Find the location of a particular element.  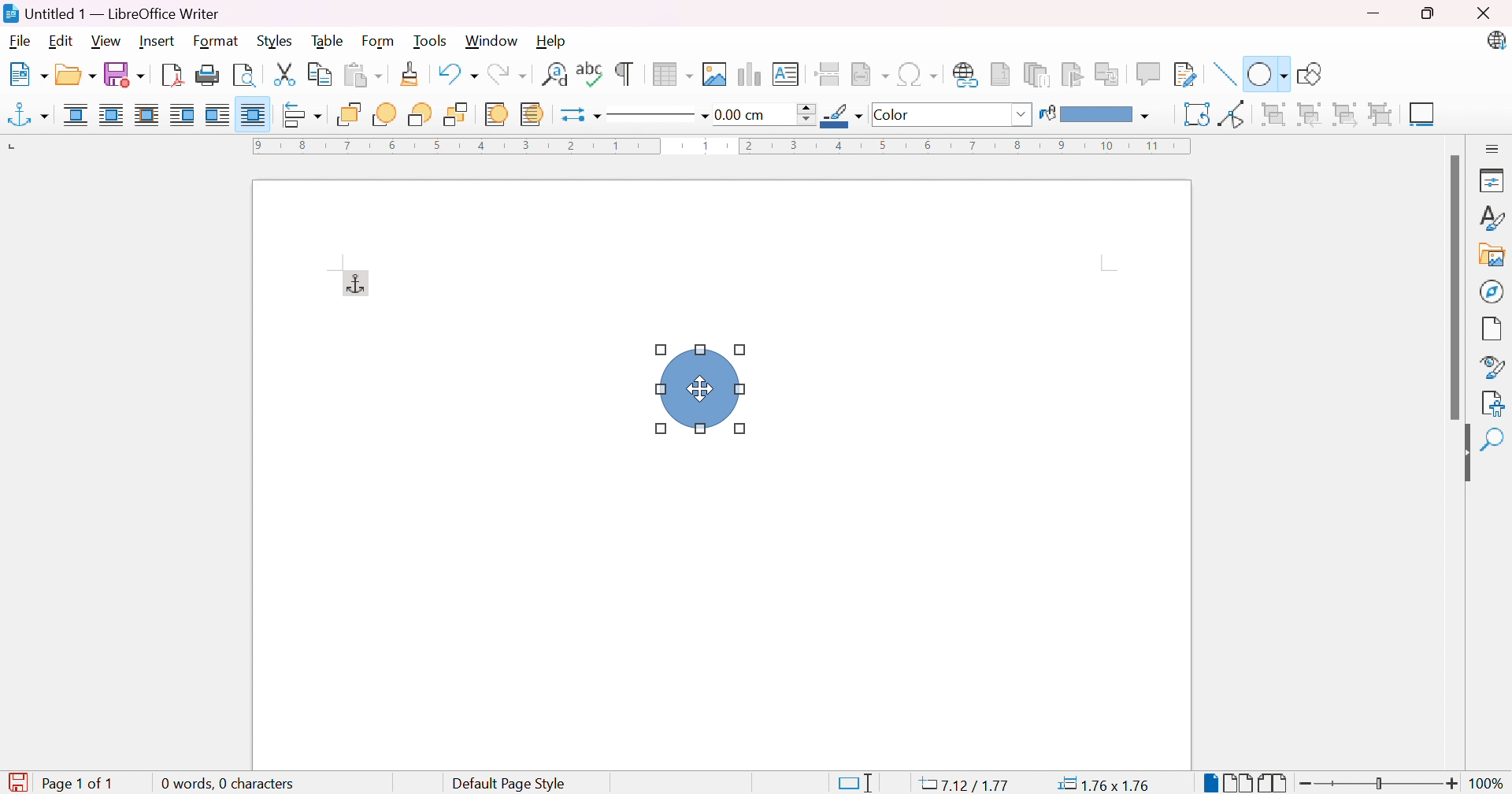

Line style is located at coordinates (650, 117).